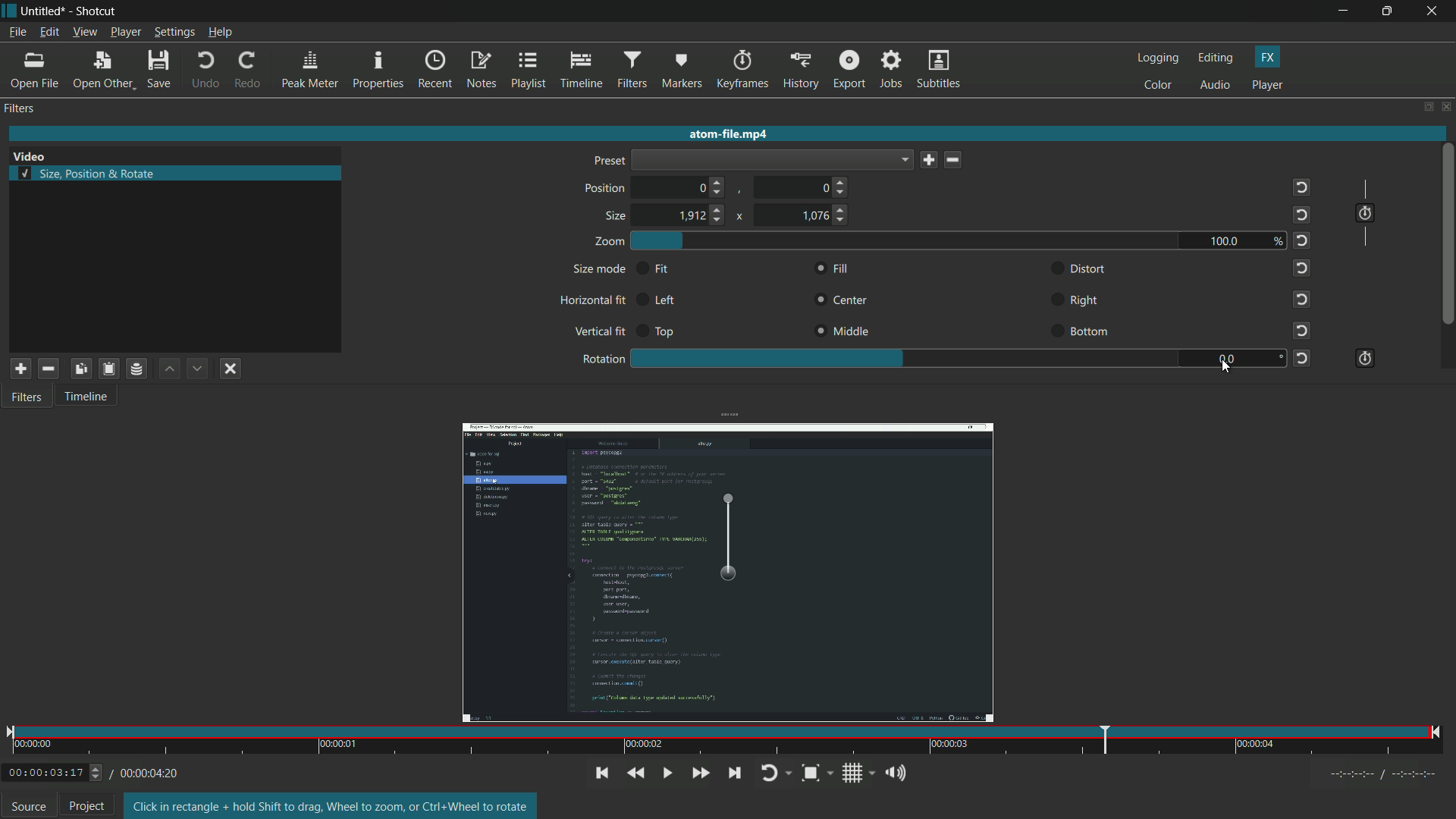 This screenshot has height=819, width=1456. What do you see at coordinates (854, 773) in the screenshot?
I see `toggle grid` at bounding box center [854, 773].